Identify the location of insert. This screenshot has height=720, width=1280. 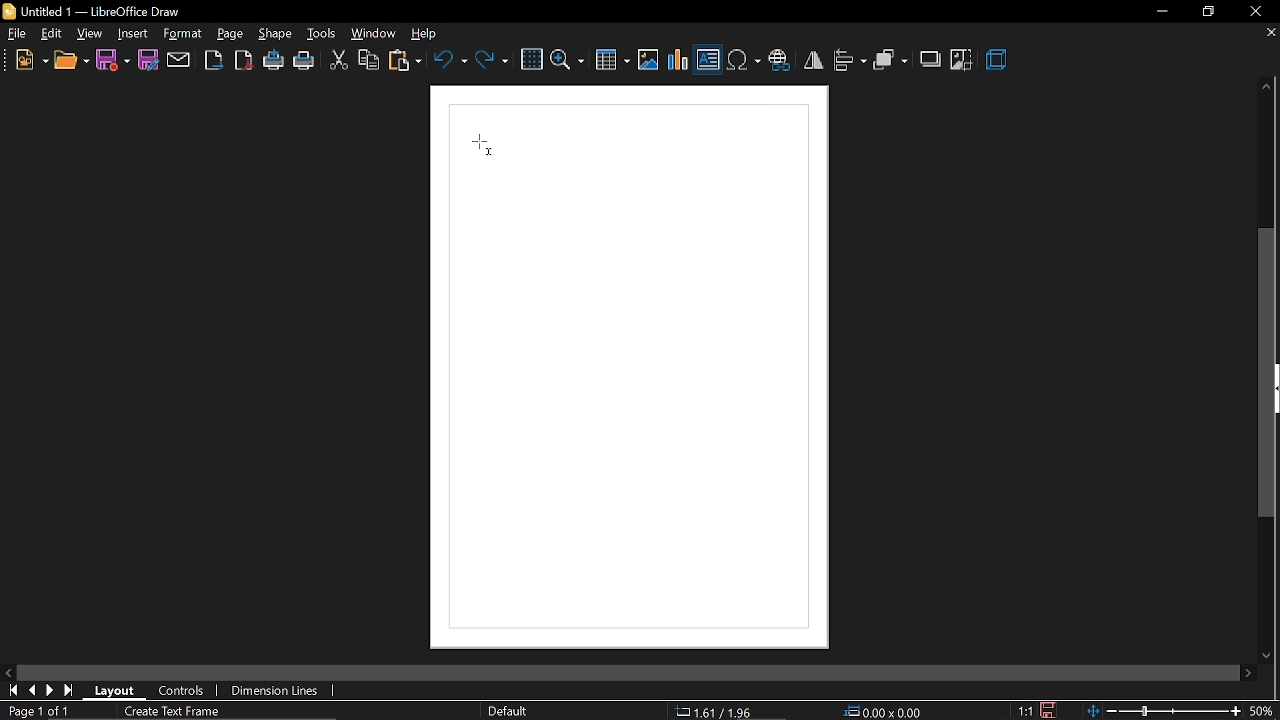
(133, 35).